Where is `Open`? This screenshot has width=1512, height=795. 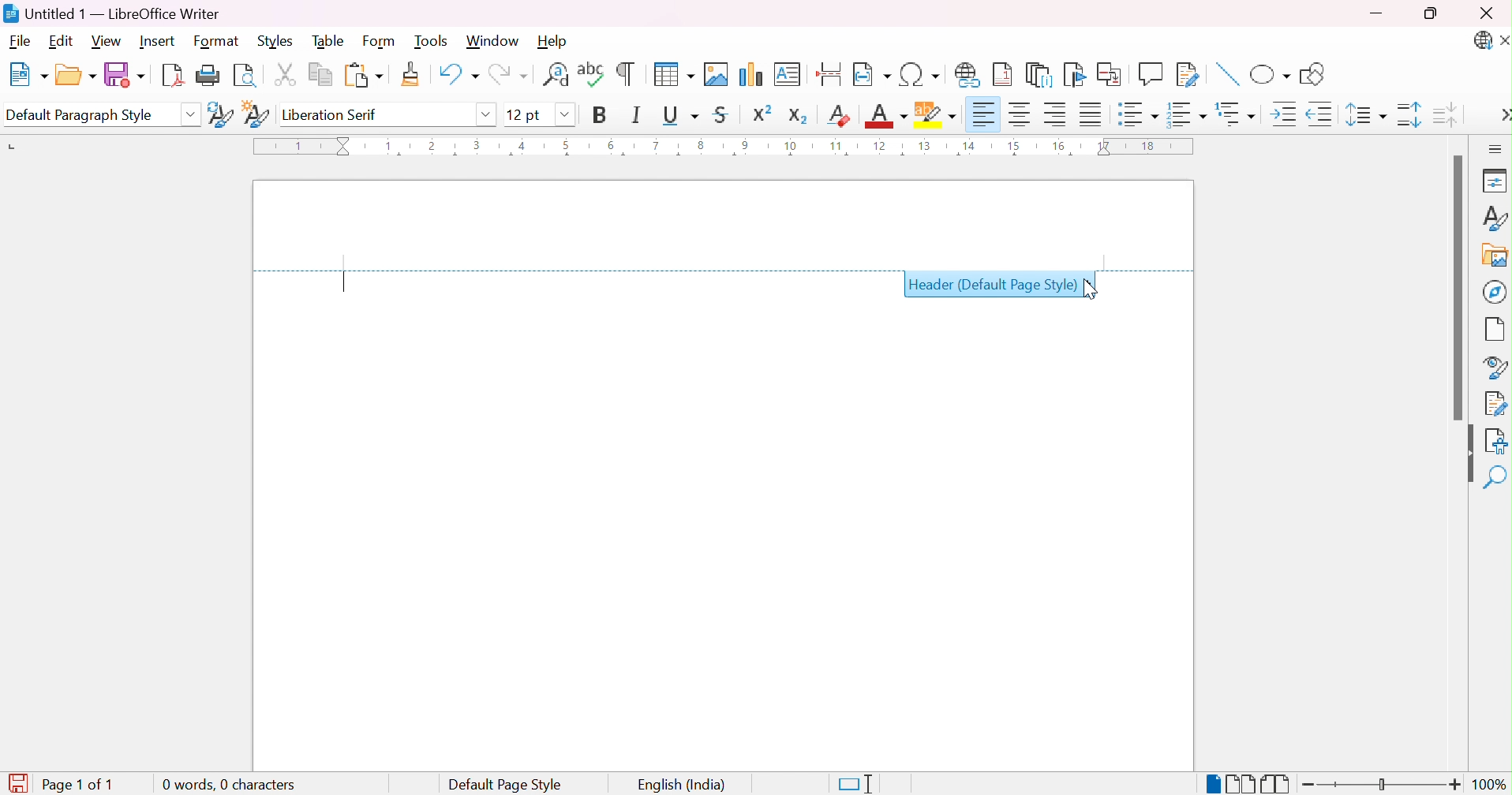
Open is located at coordinates (77, 76).